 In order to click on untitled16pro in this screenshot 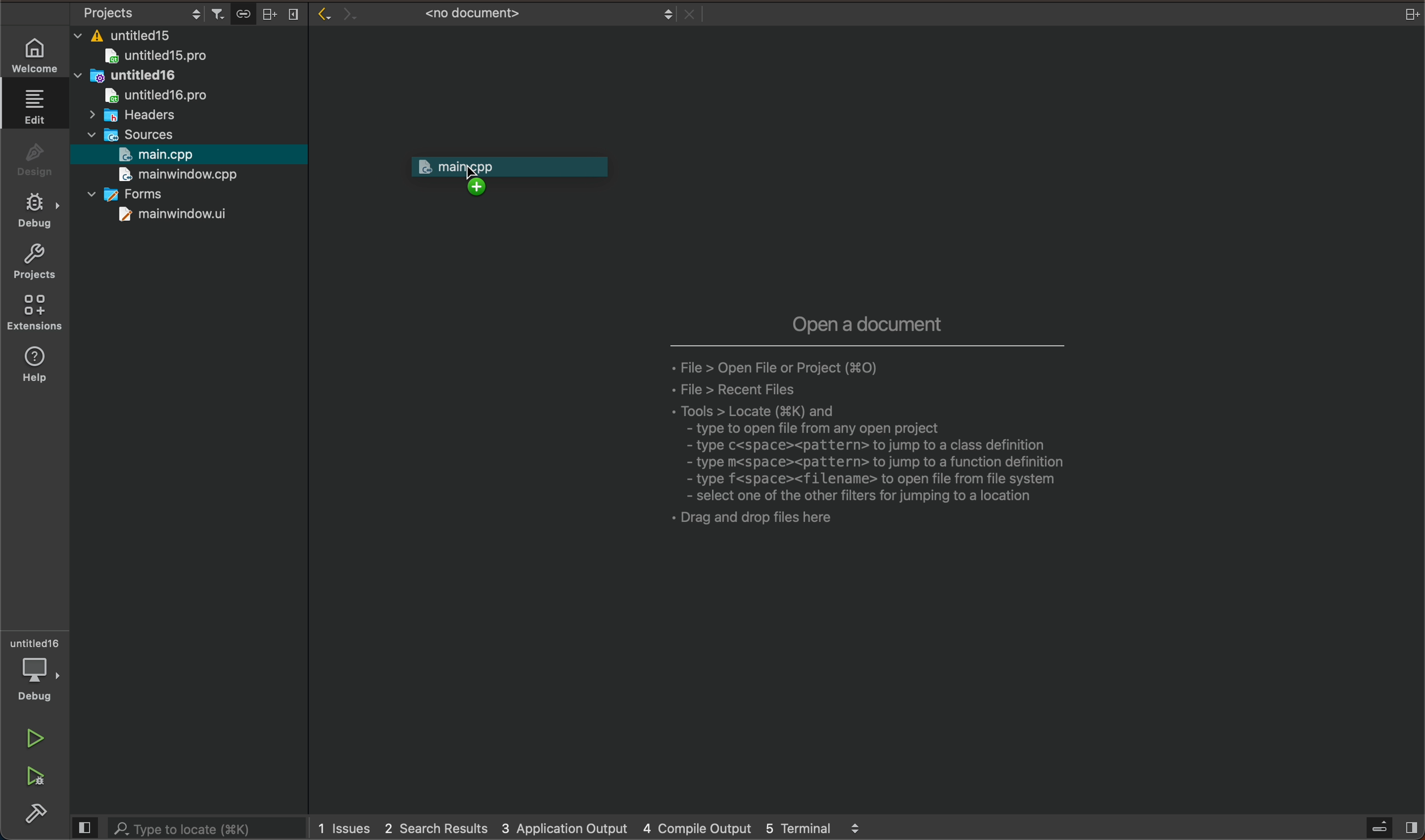, I will do `click(159, 95)`.